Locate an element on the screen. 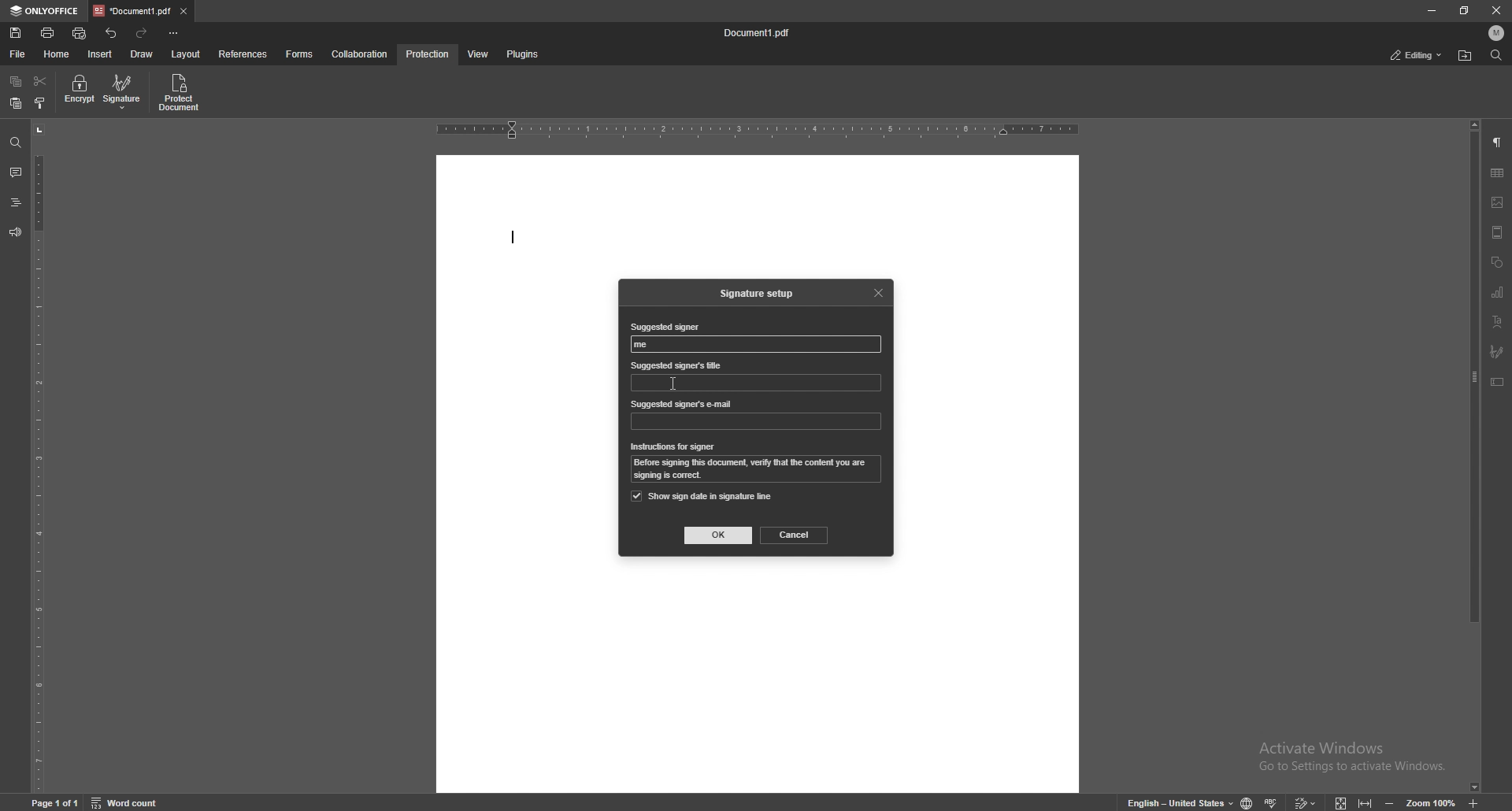  paragraph is located at coordinates (1497, 143).